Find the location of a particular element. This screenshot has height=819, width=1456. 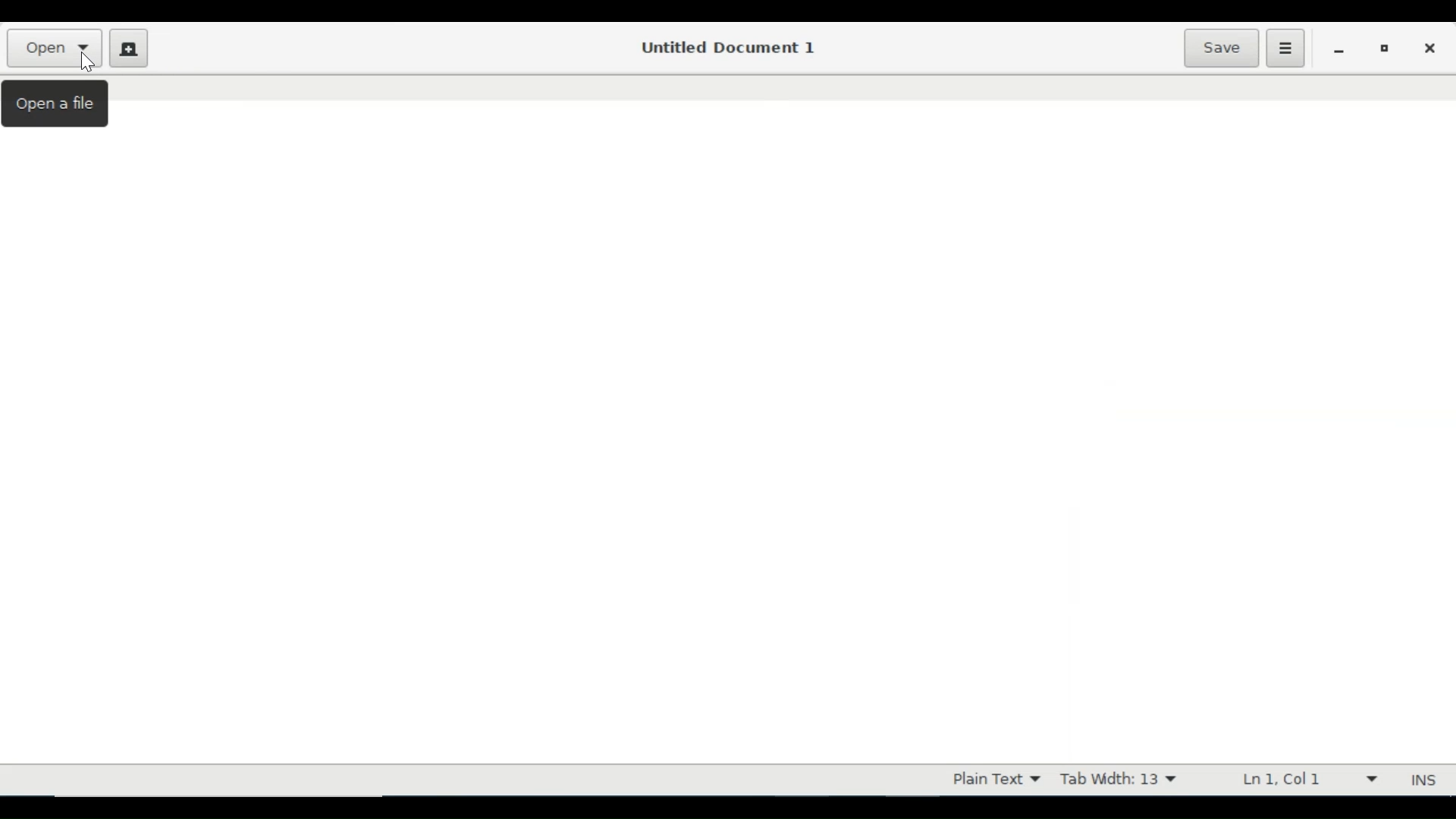

Open is located at coordinates (52, 48).